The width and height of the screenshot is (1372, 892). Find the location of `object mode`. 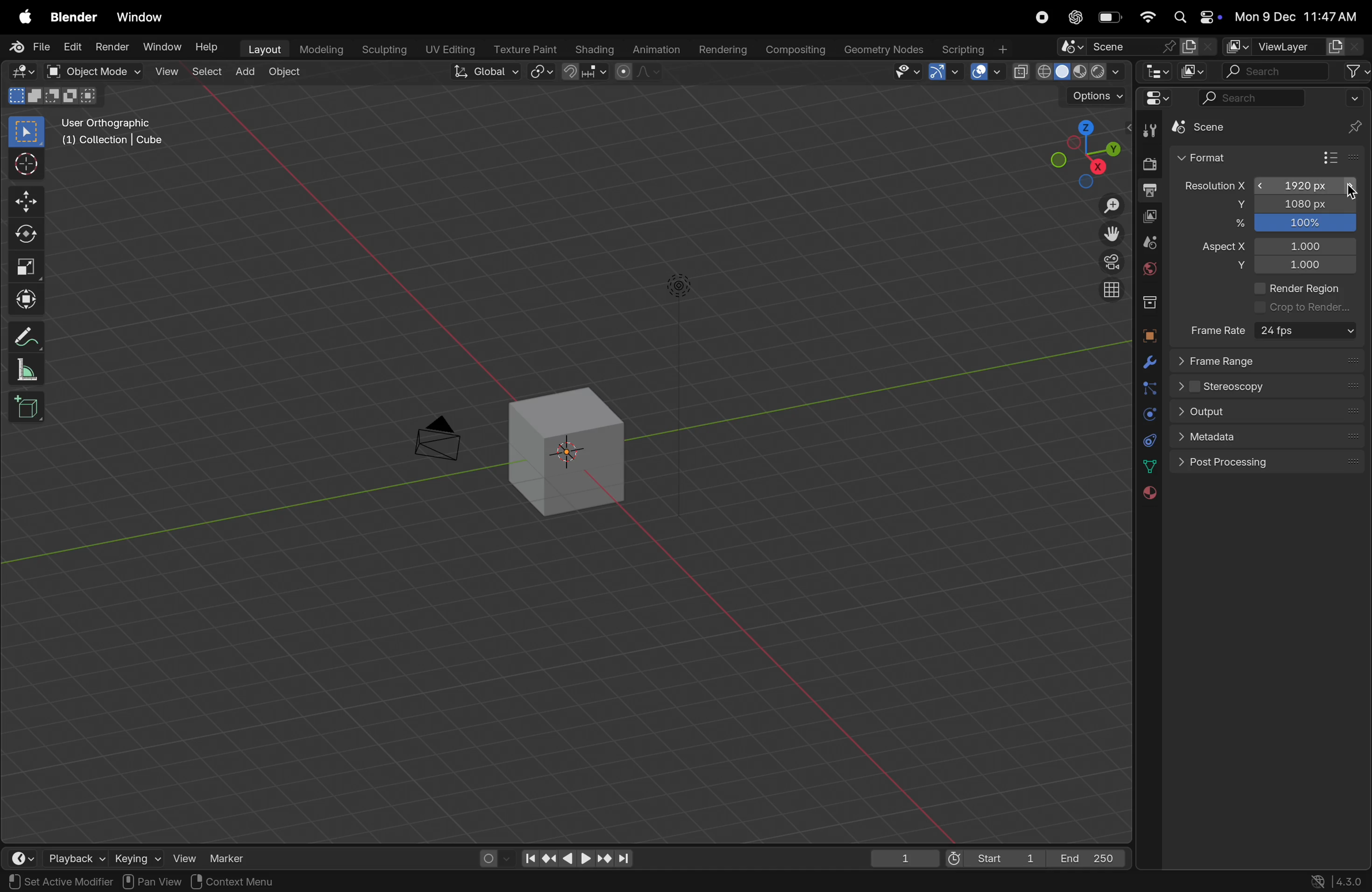

object mode is located at coordinates (93, 72).